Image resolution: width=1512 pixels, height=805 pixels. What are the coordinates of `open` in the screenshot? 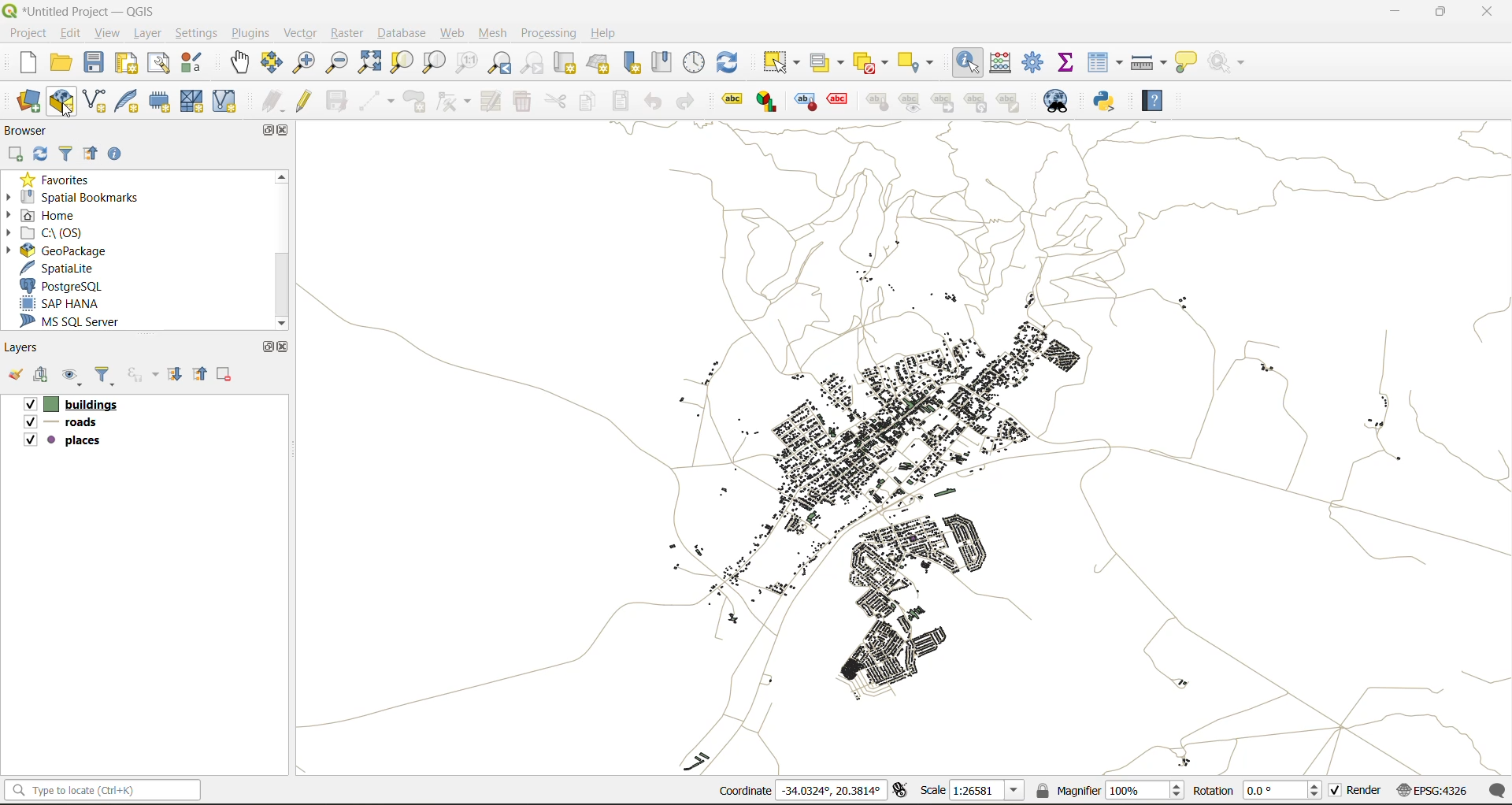 It's located at (14, 378).